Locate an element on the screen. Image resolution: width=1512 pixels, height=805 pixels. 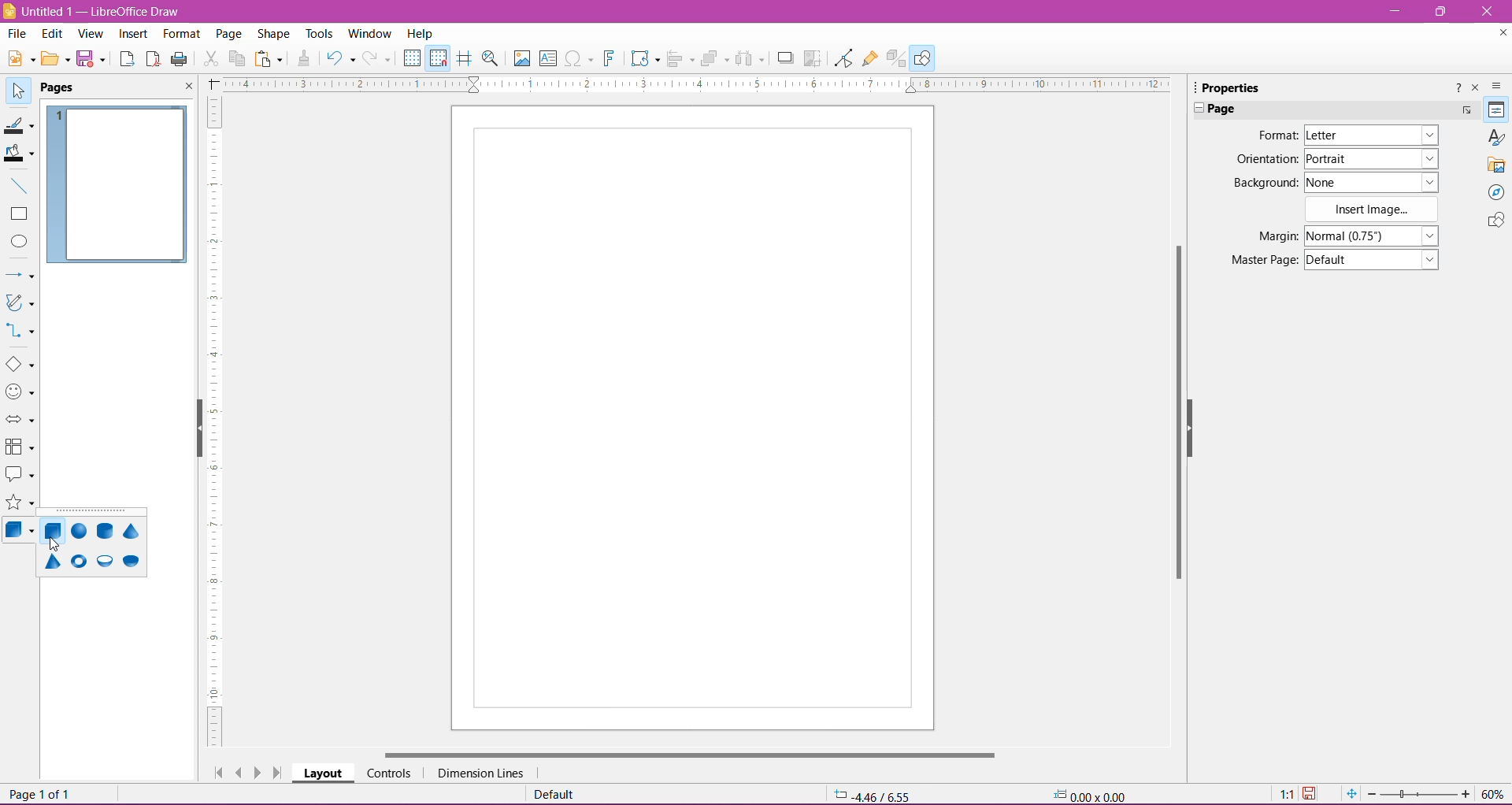
Sphere is located at coordinates (80, 532).